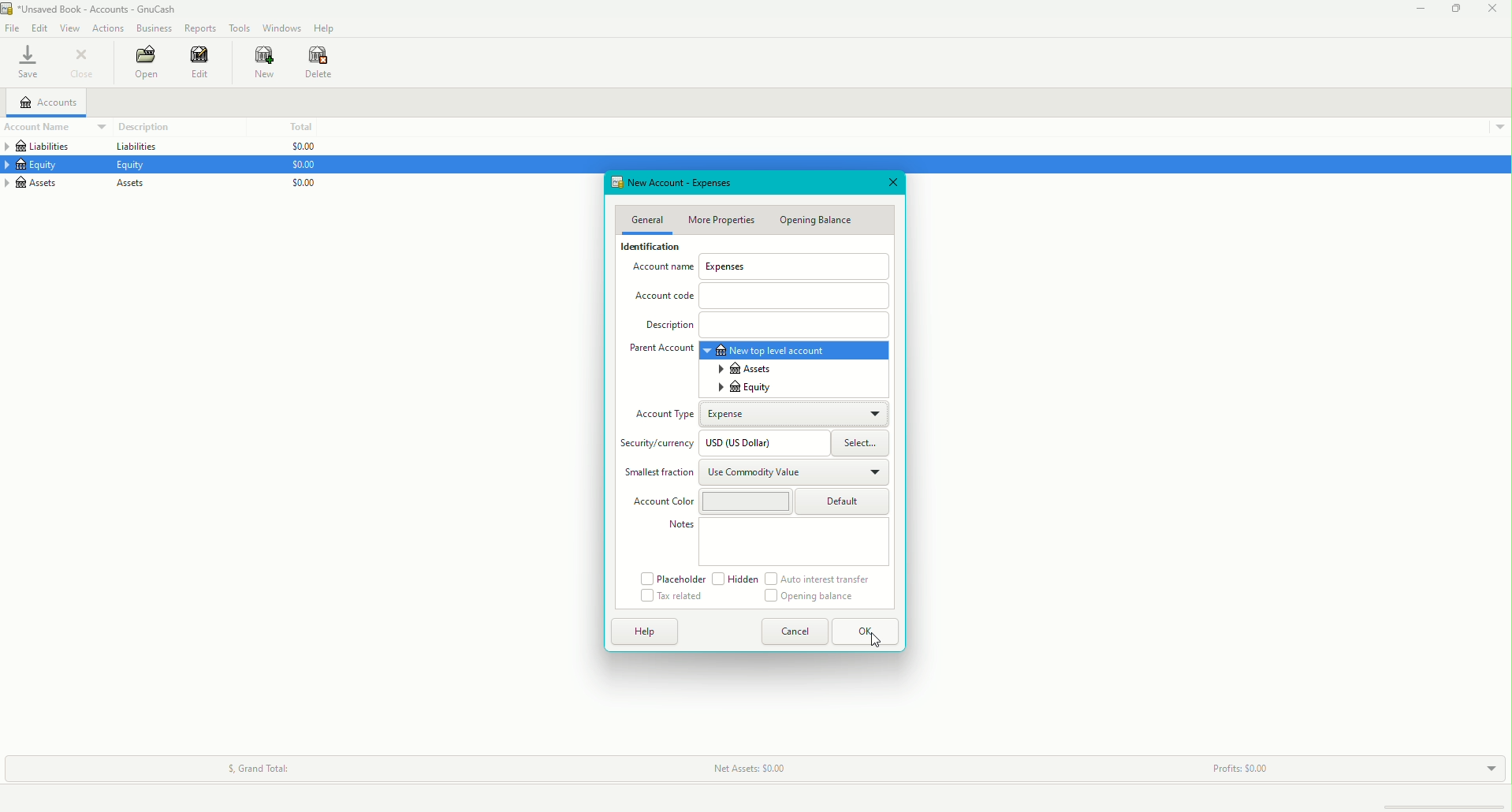 The height and width of the screenshot is (812, 1512). I want to click on unsaved book, so click(96, 9).